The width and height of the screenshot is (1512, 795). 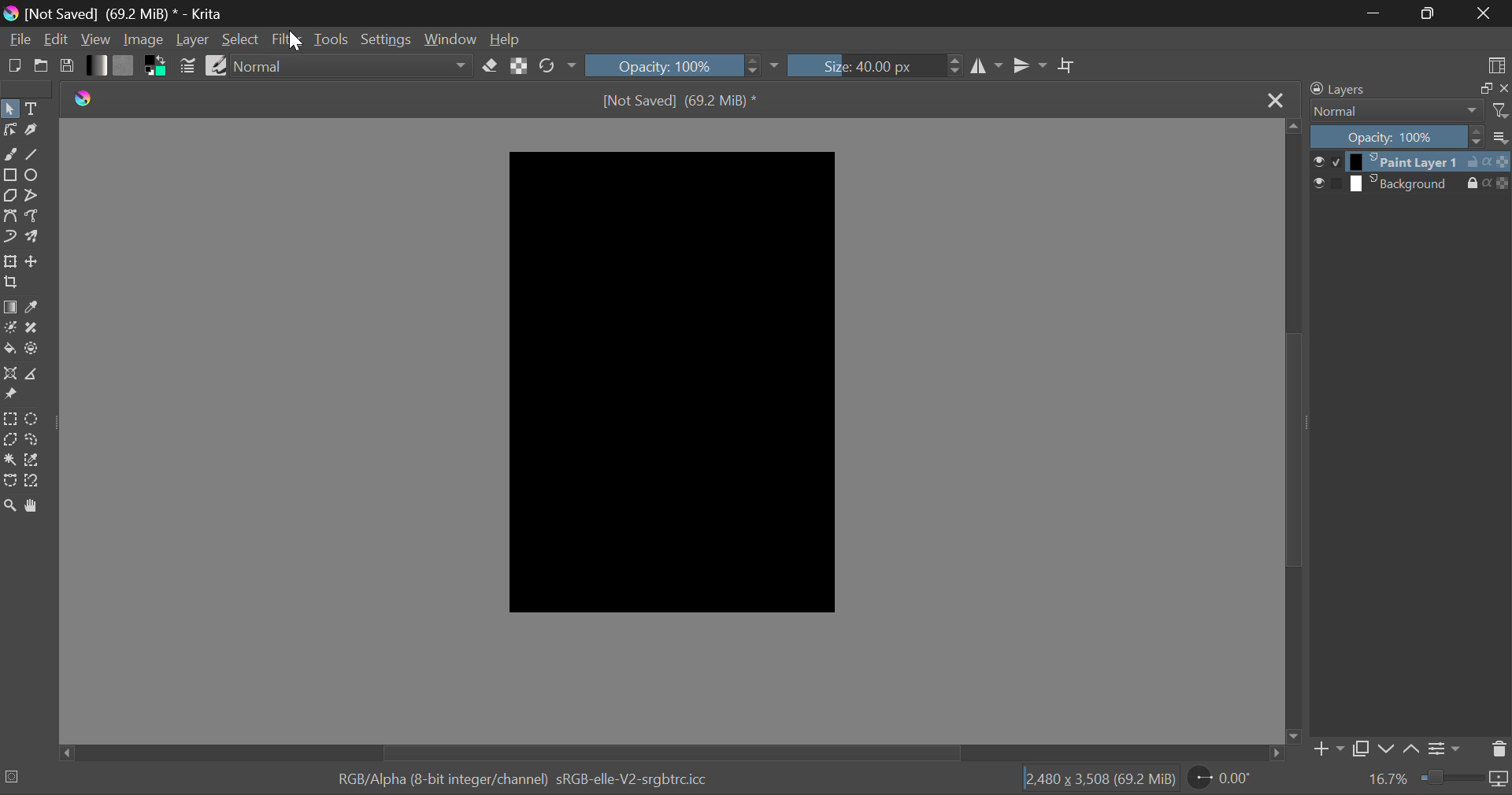 What do you see at coordinates (34, 462) in the screenshot?
I see `Similar Color Selector` at bounding box center [34, 462].